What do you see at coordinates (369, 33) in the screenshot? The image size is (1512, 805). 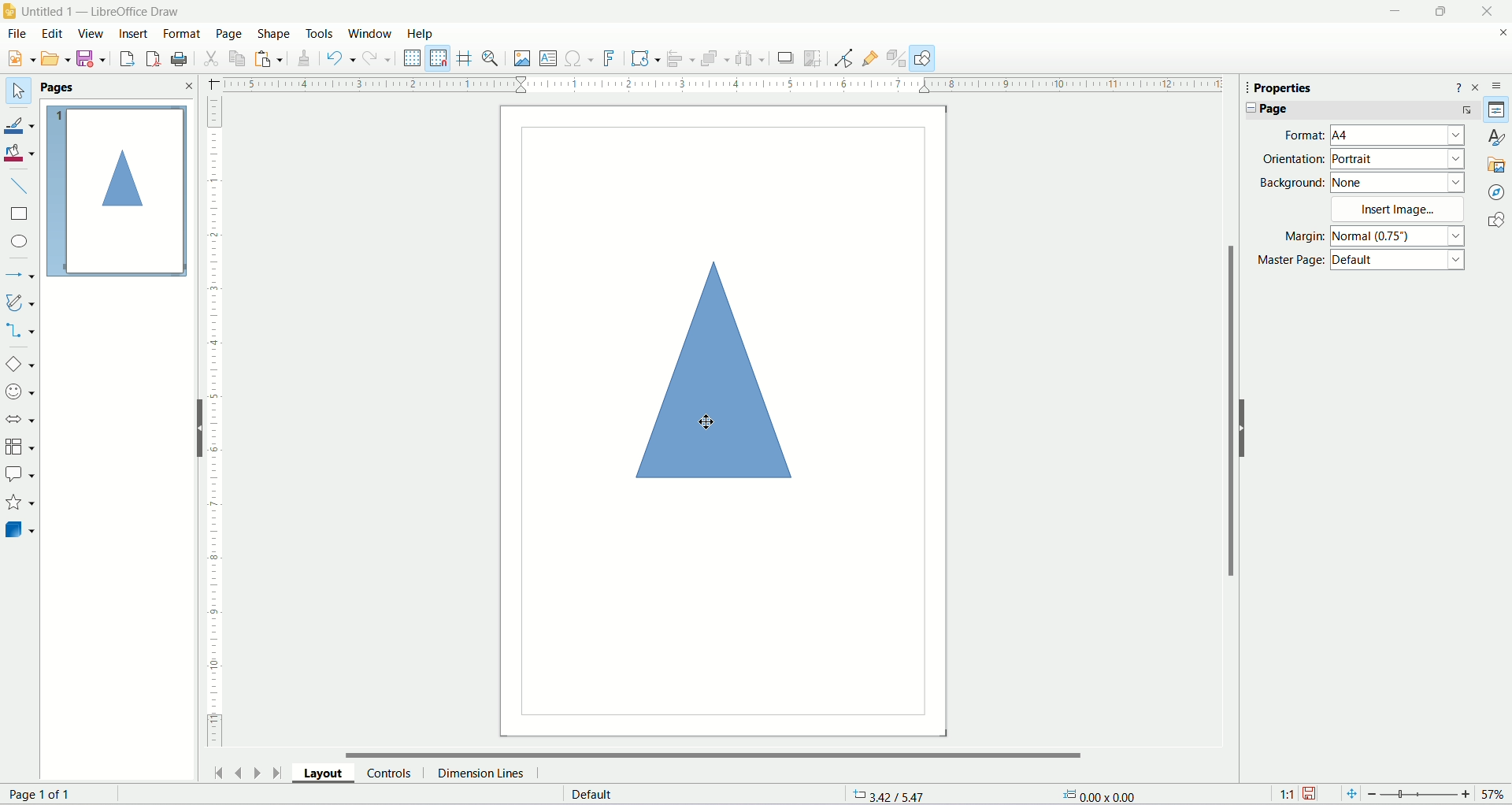 I see `Window` at bounding box center [369, 33].